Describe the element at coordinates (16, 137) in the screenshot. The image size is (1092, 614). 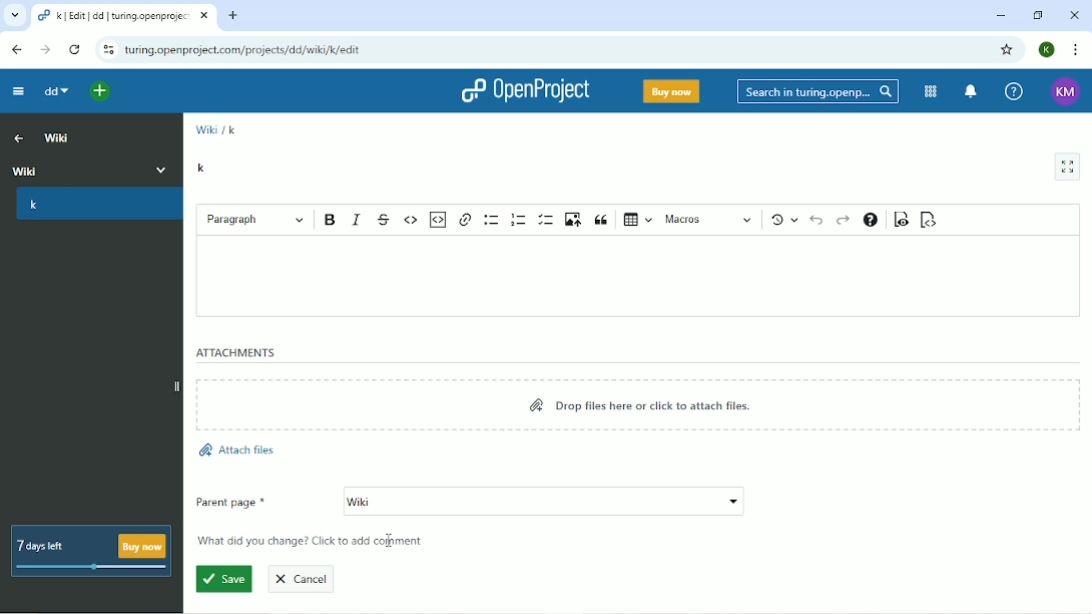
I see `Up` at that location.